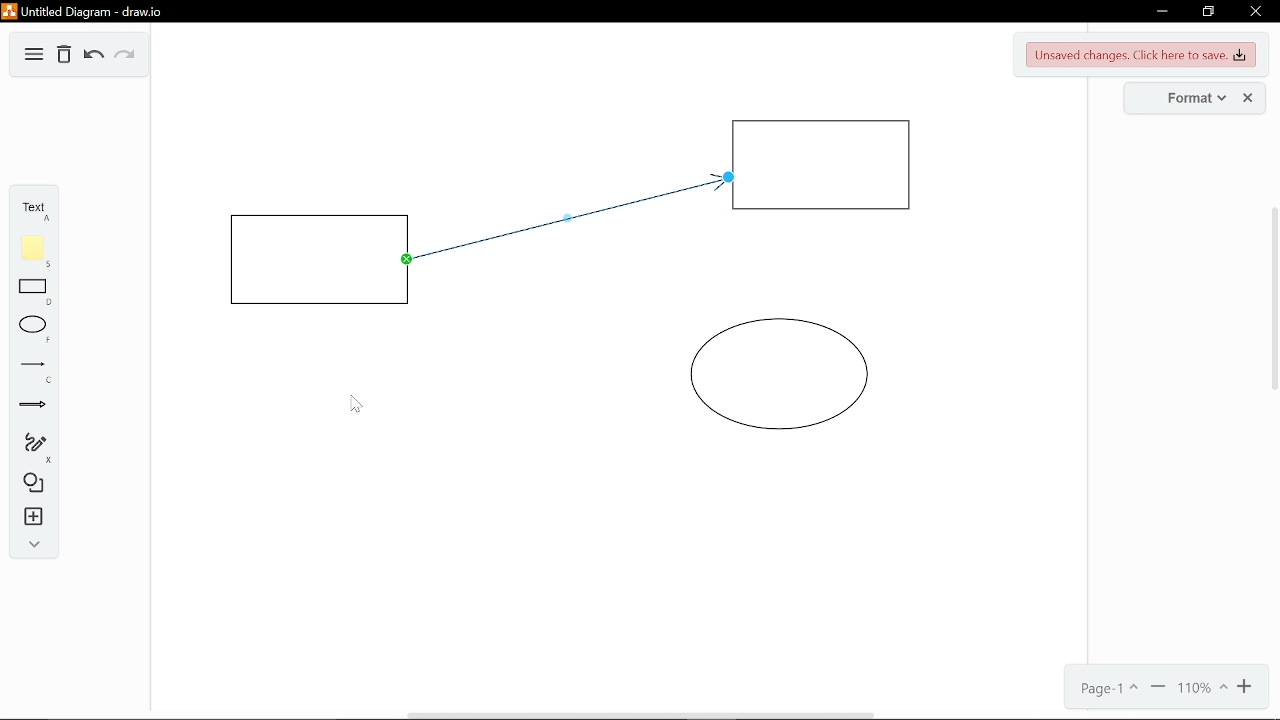  What do you see at coordinates (30, 484) in the screenshot?
I see `Shapes` at bounding box center [30, 484].